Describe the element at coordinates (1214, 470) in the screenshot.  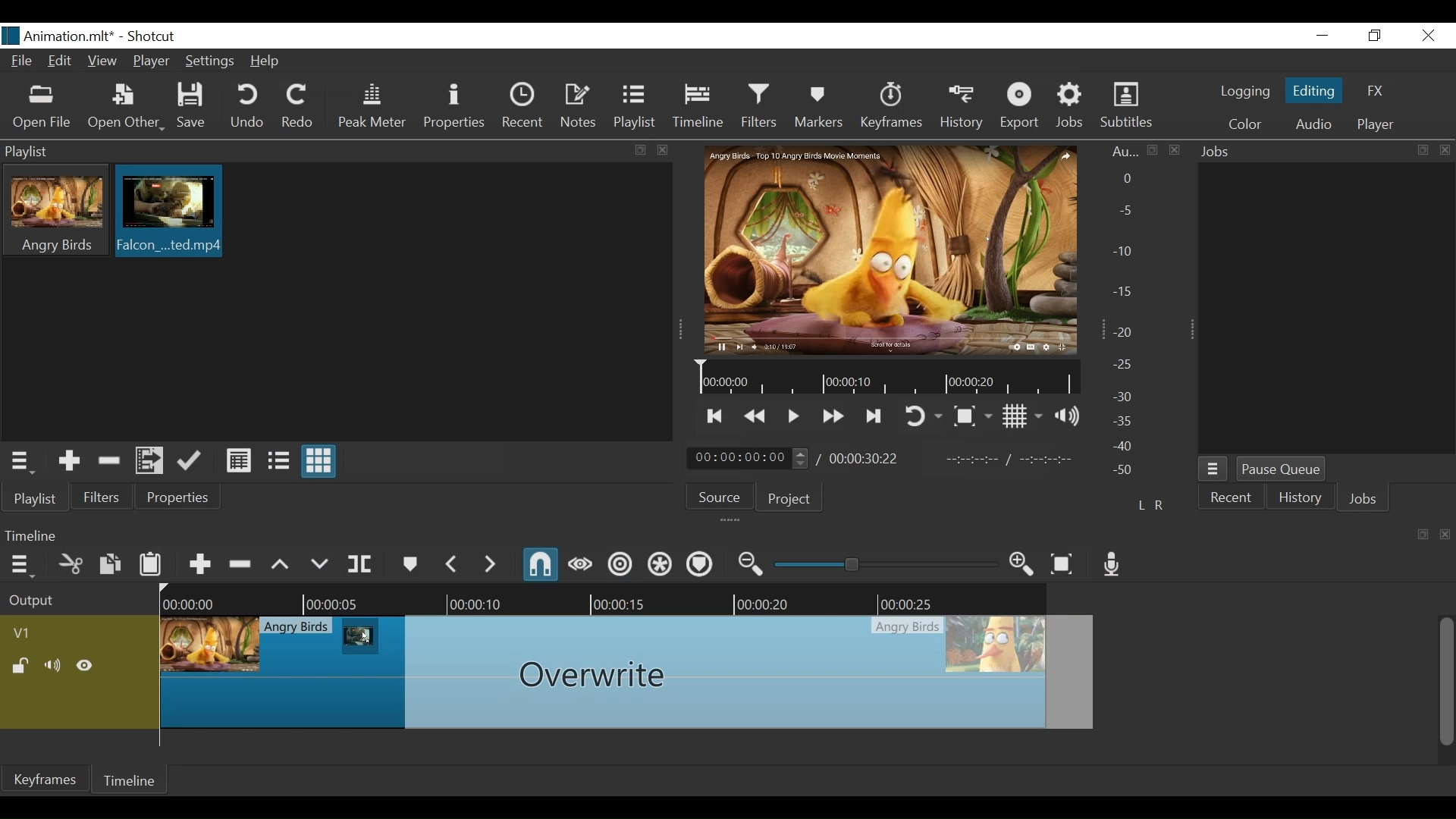
I see `Jobs Menu` at that location.